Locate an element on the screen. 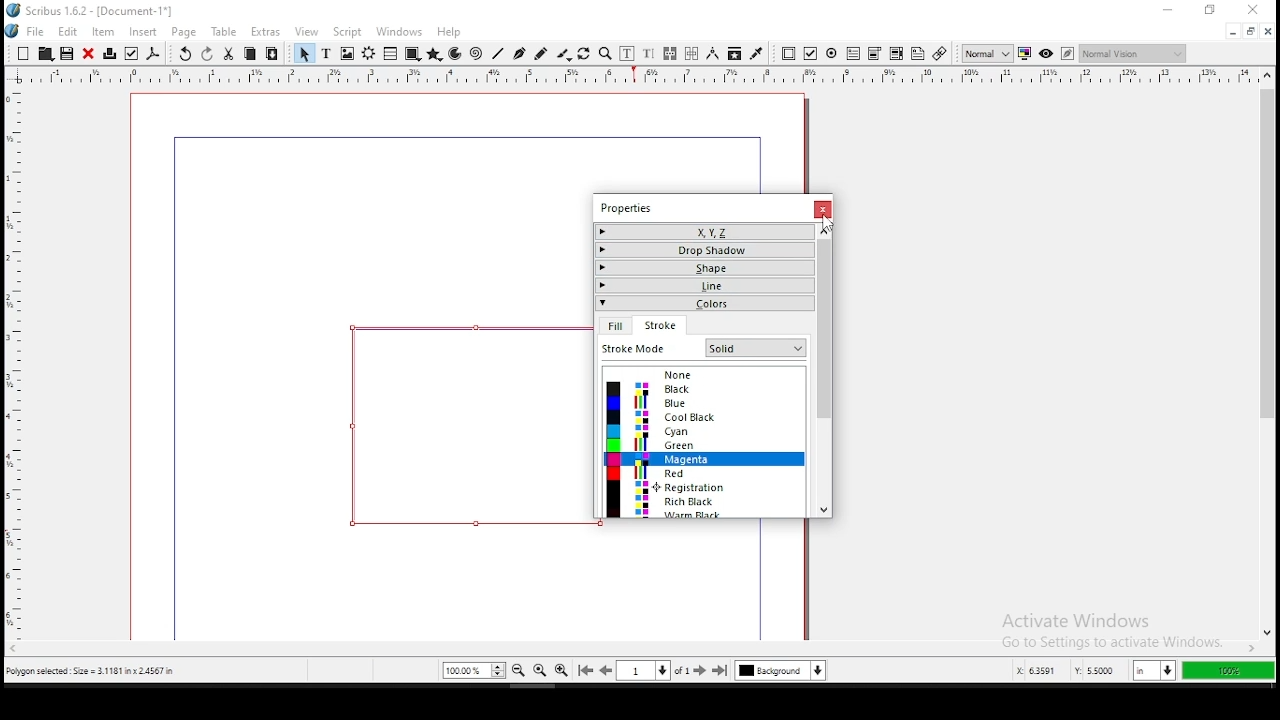 Image resolution: width=1280 pixels, height=720 pixels. edit text with story editor is located at coordinates (648, 54).